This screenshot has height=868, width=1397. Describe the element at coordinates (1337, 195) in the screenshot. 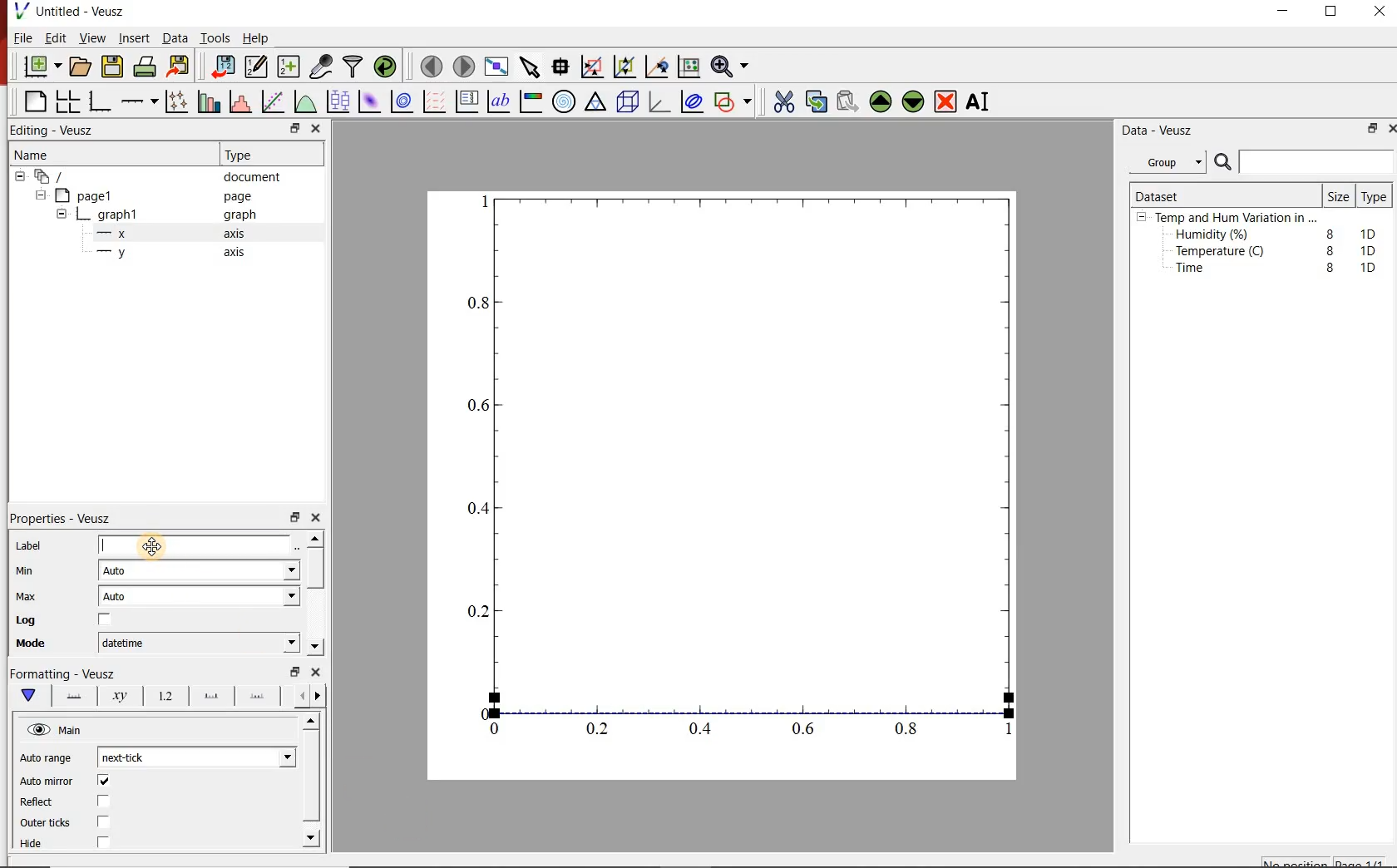

I see `Size` at that location.